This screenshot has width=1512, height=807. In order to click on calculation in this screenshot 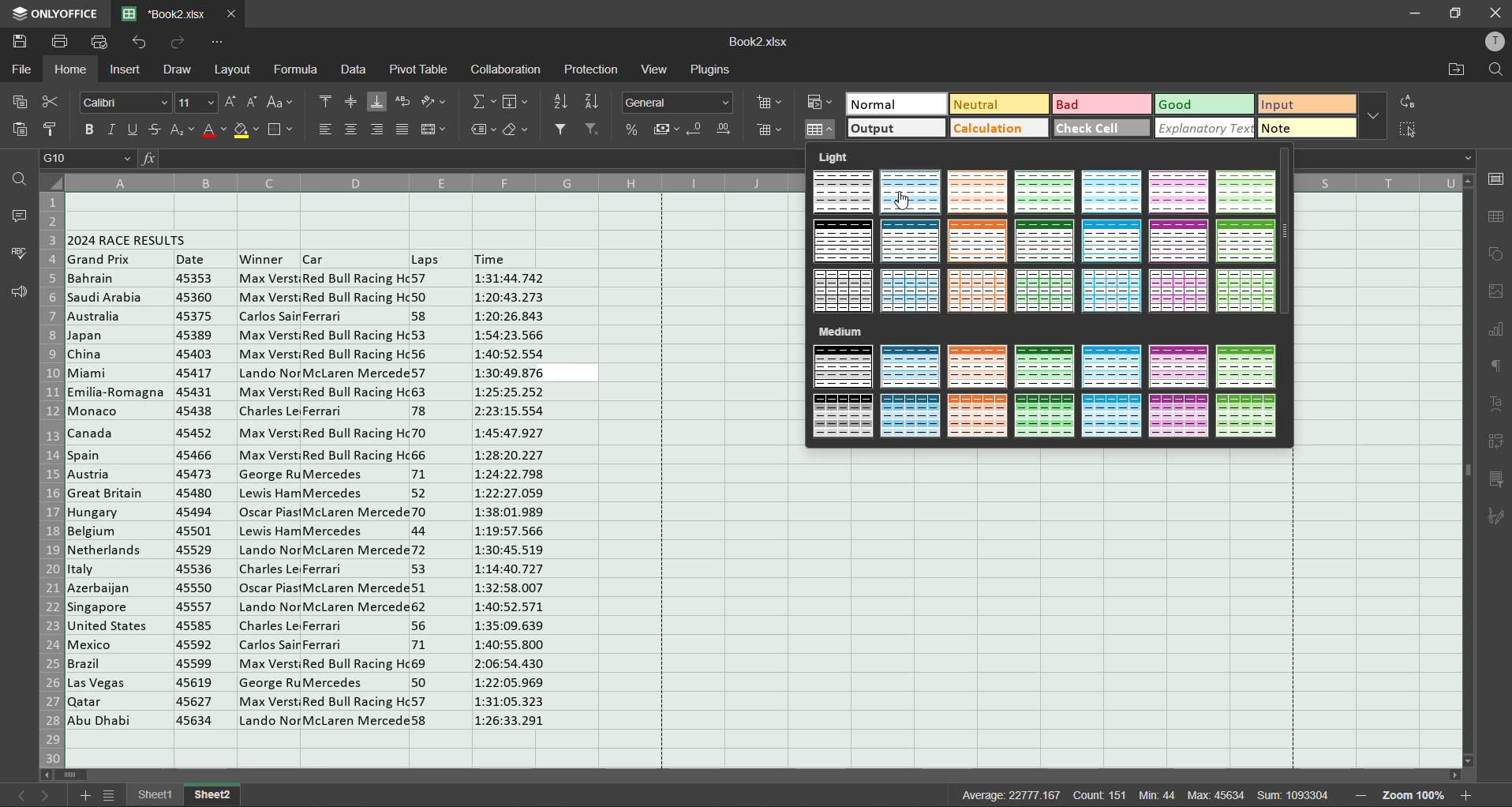, I will do `click(997, 129)`.